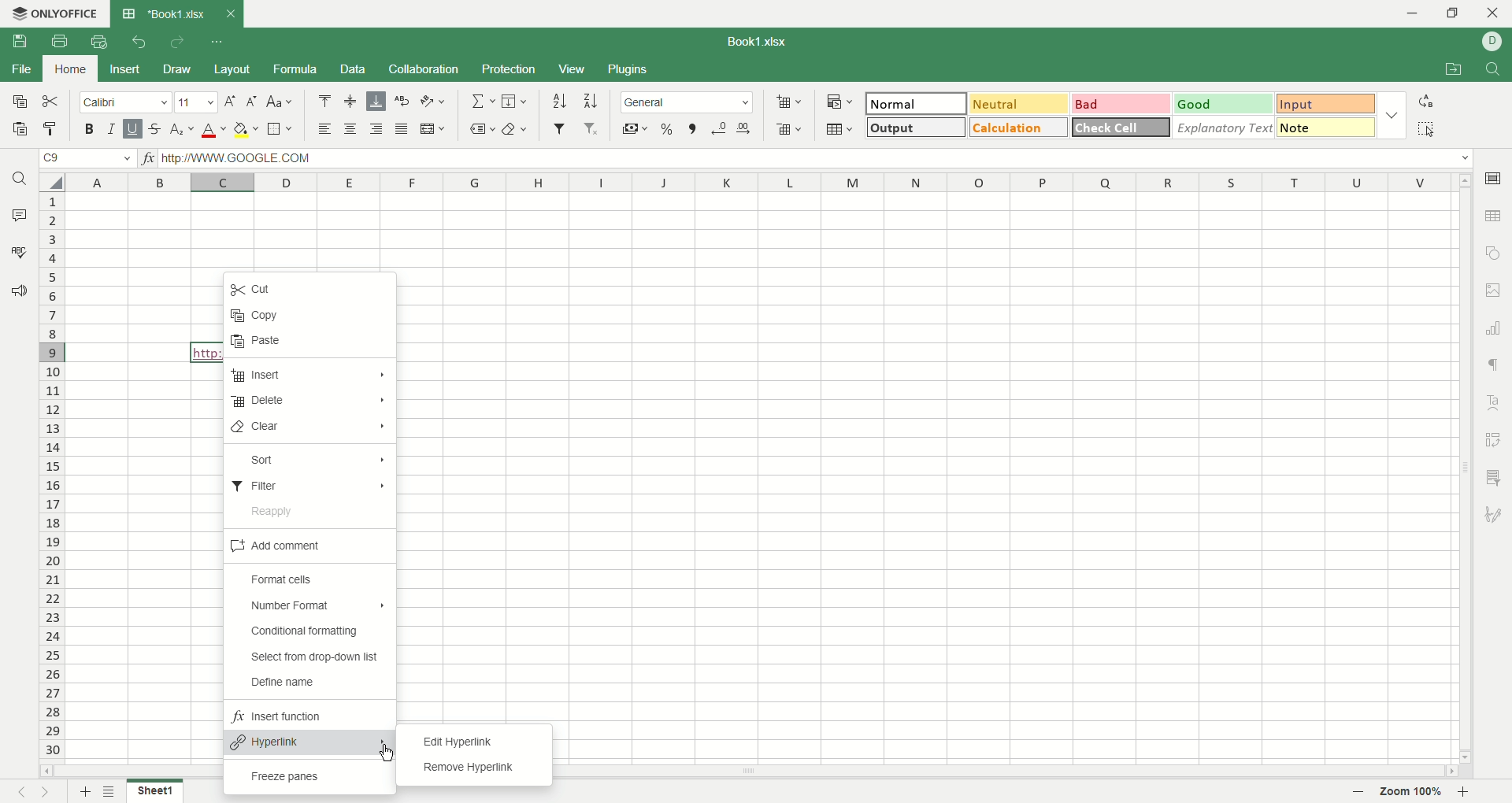  What do you see at coordinates (246, 129) in the screenshot?
I see `background color` at bounding box center [246, 129].